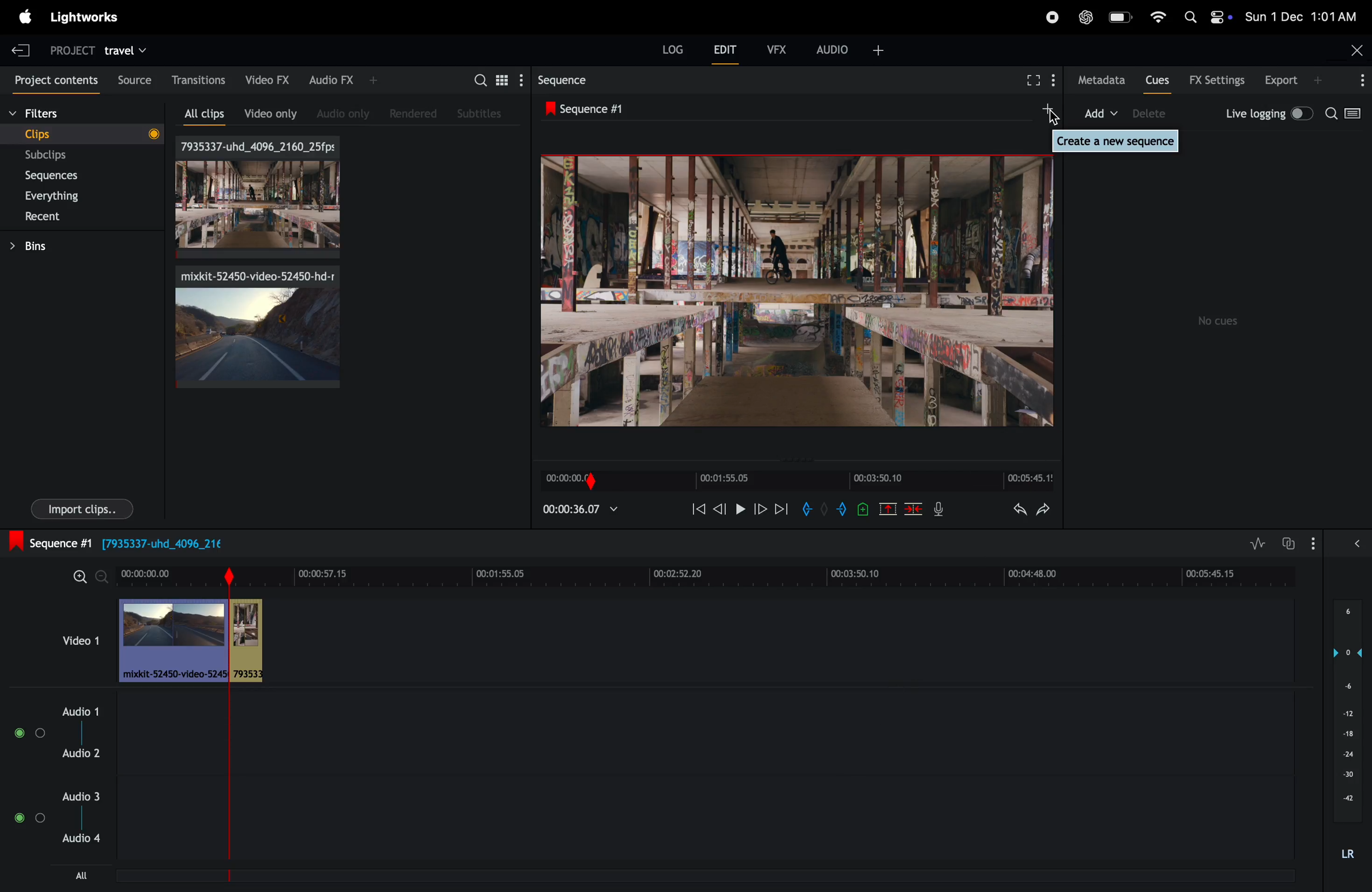 The height and width of the screenshot is (892, 1372). I want to click on forward, so click(759, 508).